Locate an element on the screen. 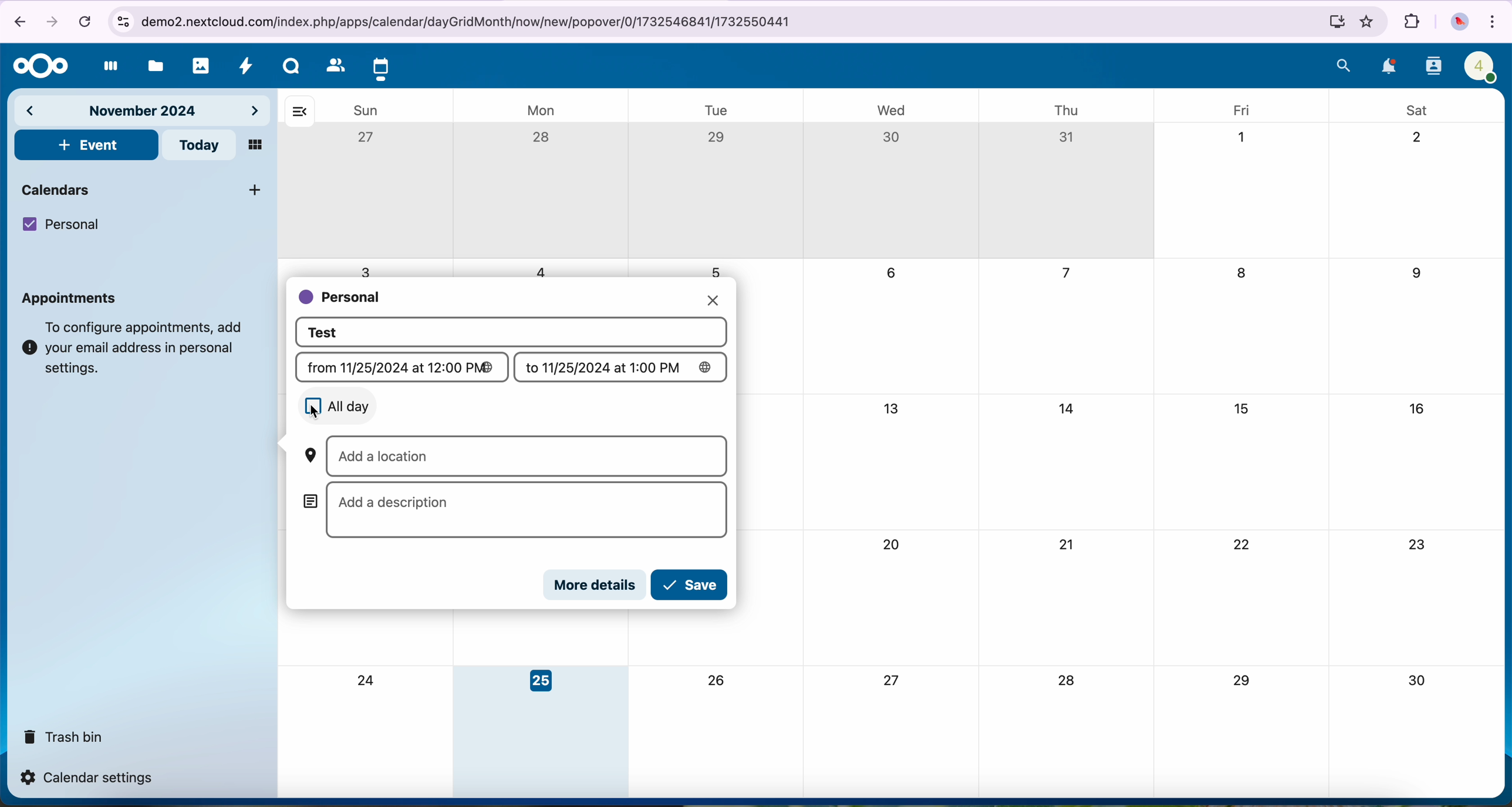 The height and width of the screenshot is (807, 1512). notifications is located at coordinates (1389, 67).